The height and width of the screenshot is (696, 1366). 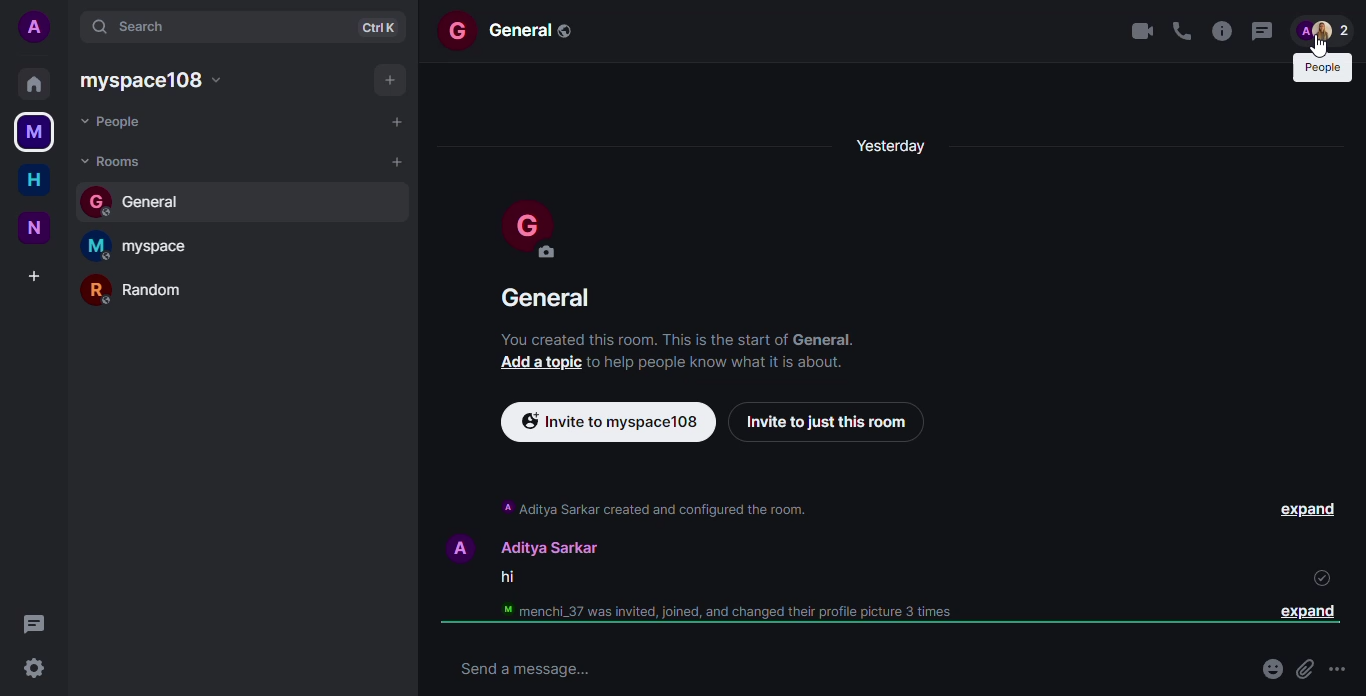 I want to click on add, so click(x=38, y=275).